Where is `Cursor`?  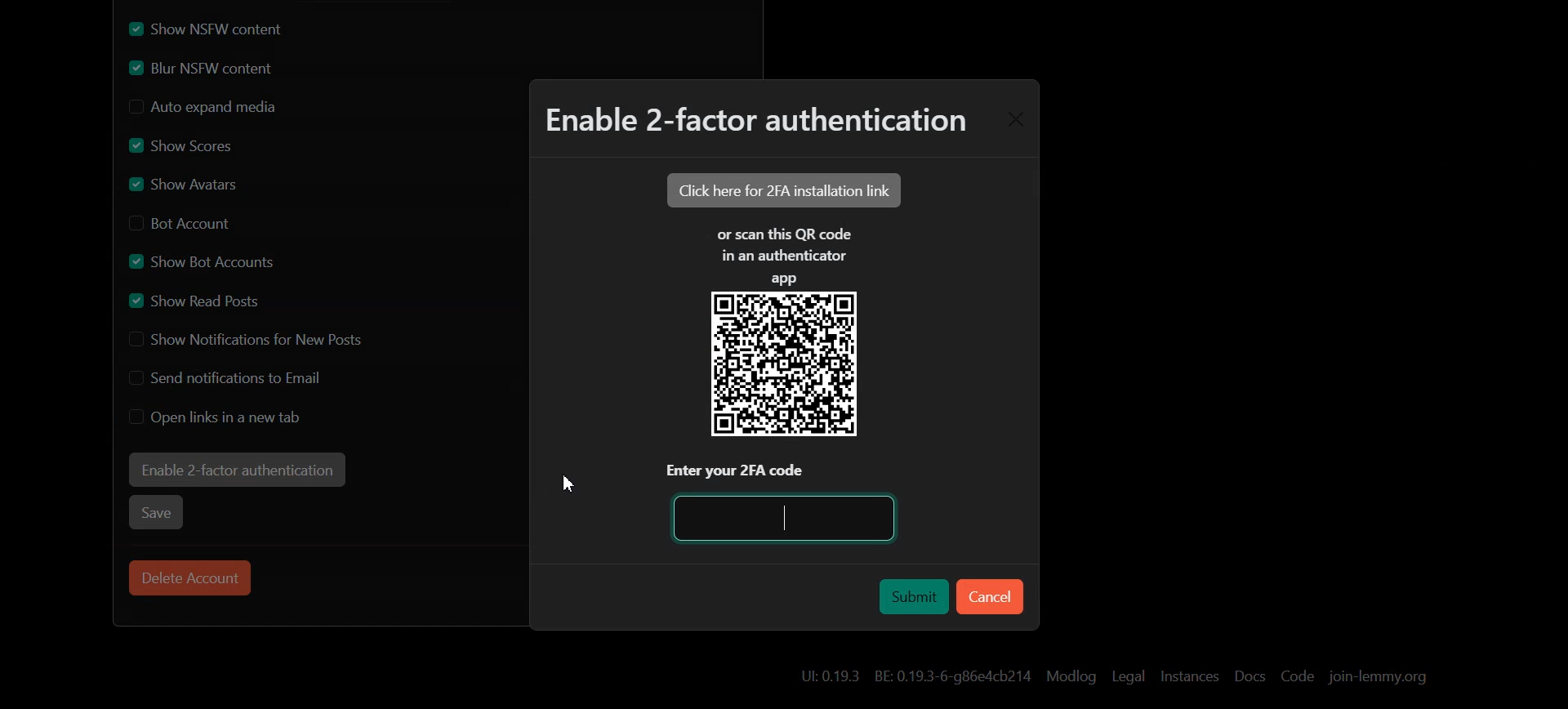 Cursor is located at coordinates (568, 484).